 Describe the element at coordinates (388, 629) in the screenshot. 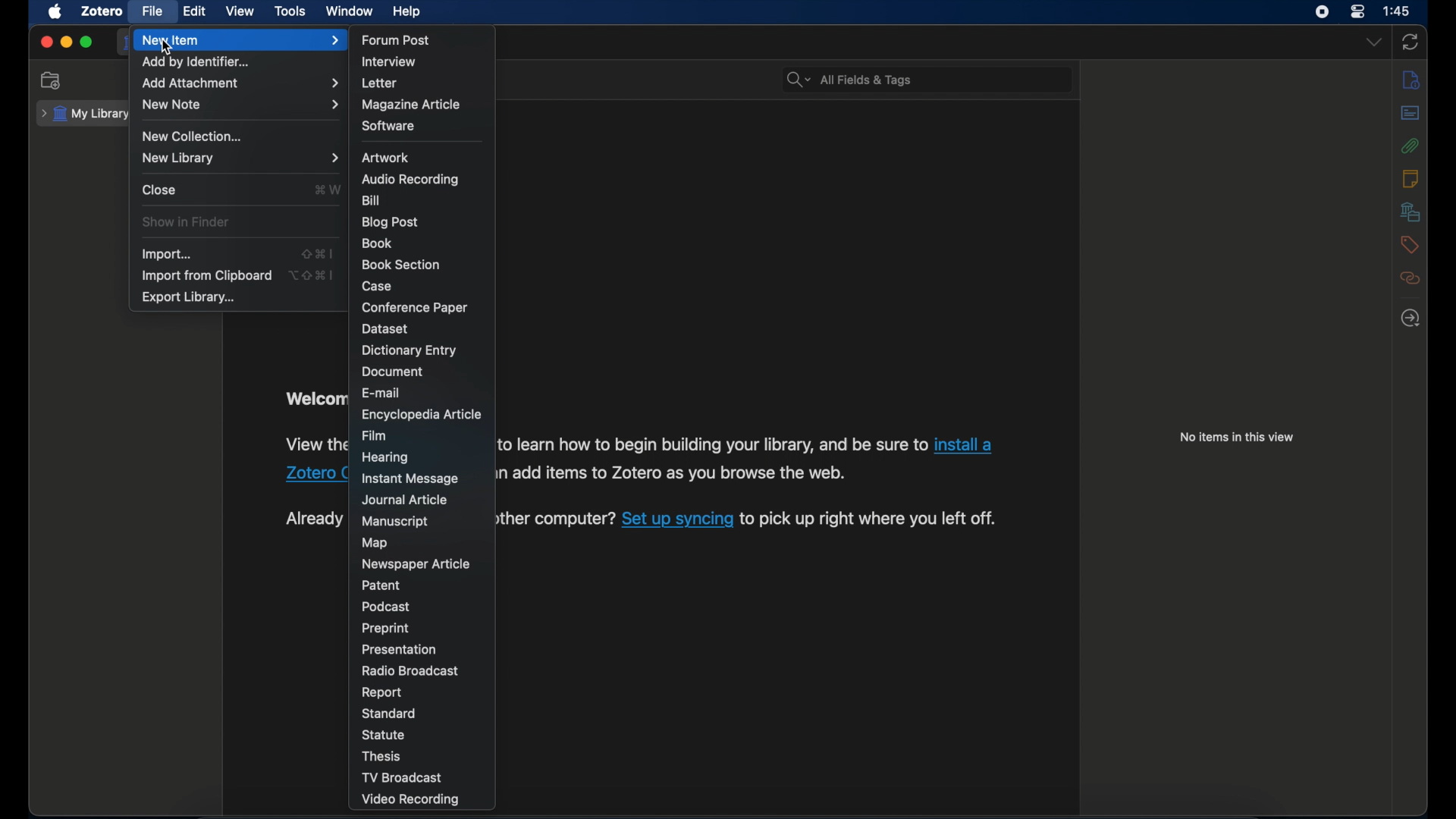

I see `preprint` at that location.